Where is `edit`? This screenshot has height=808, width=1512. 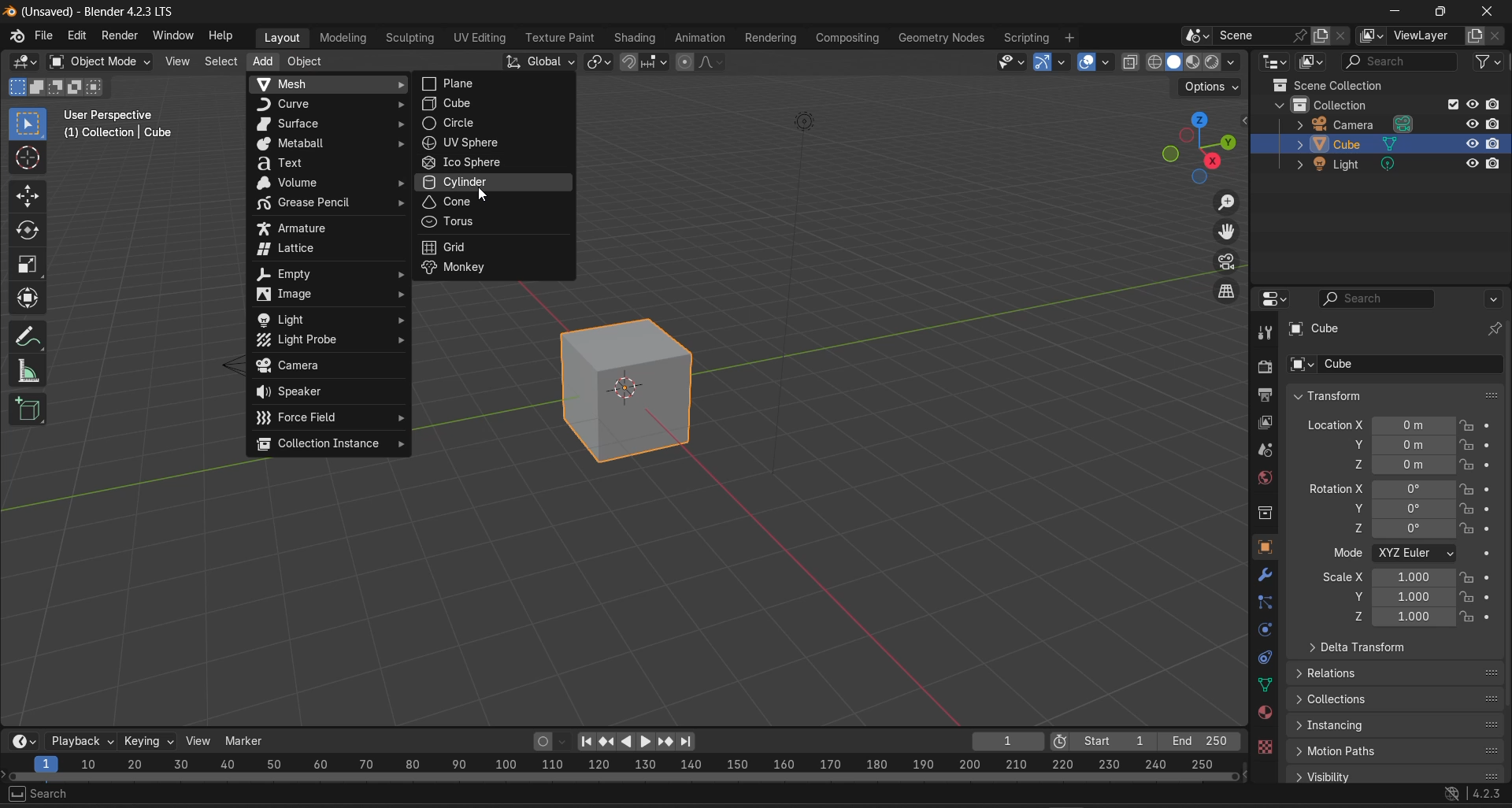
edit is located at coordinates (78, 34).